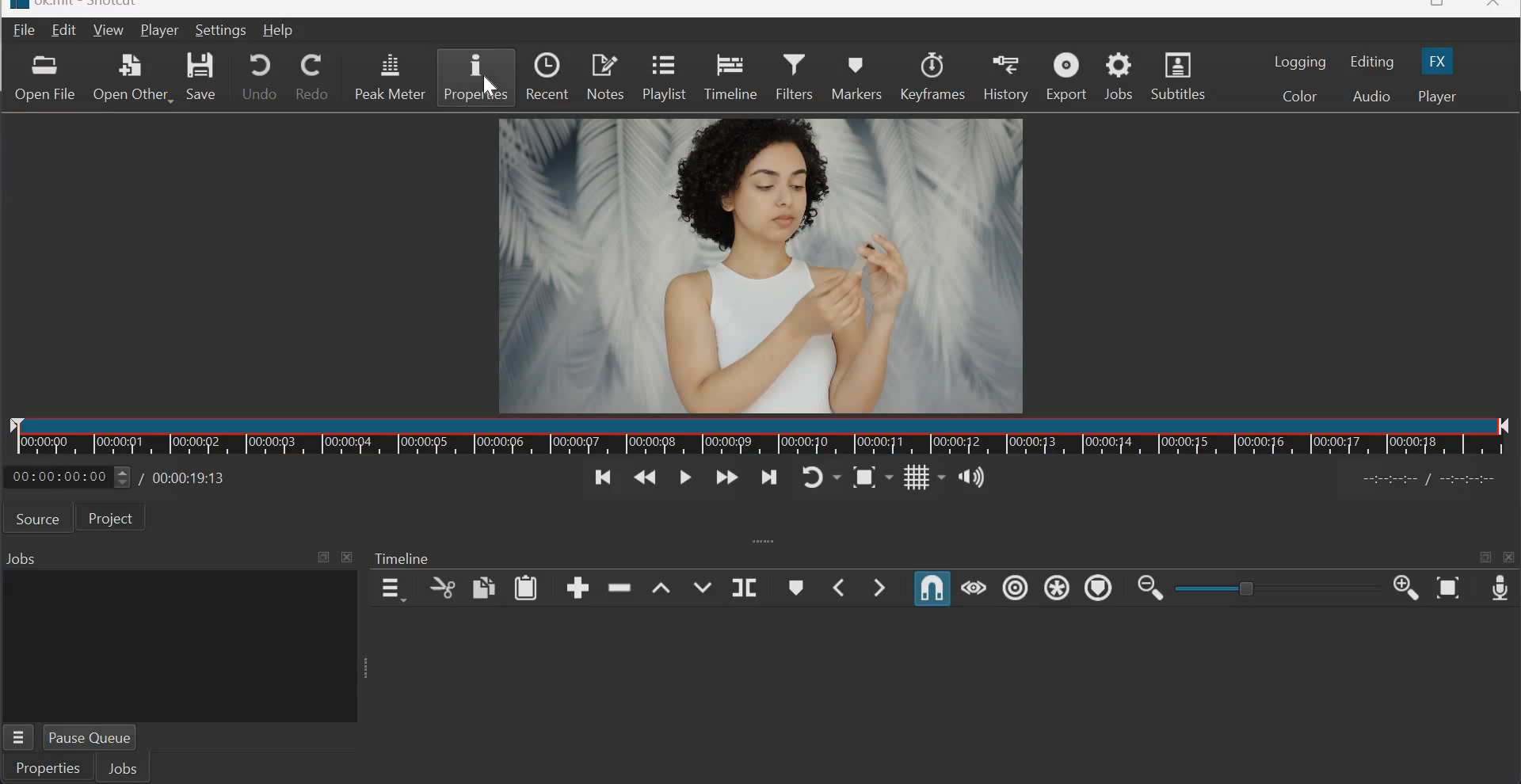 The height and width of the screenshot is (784, 1521). I want to click on View, so click(109, 29).